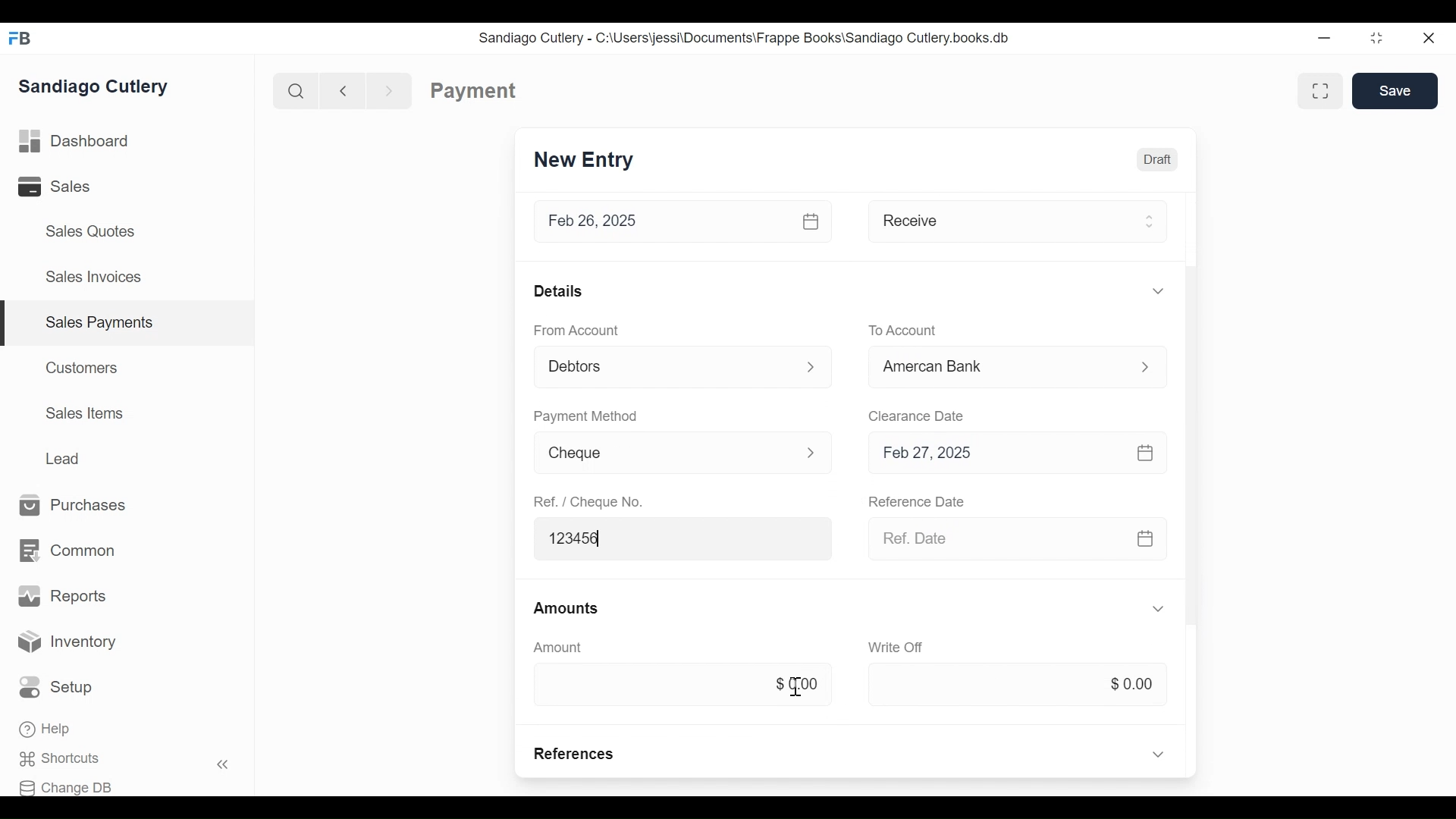 The image size is (1456, 819). I want to click on 123456, so click(685, 538).